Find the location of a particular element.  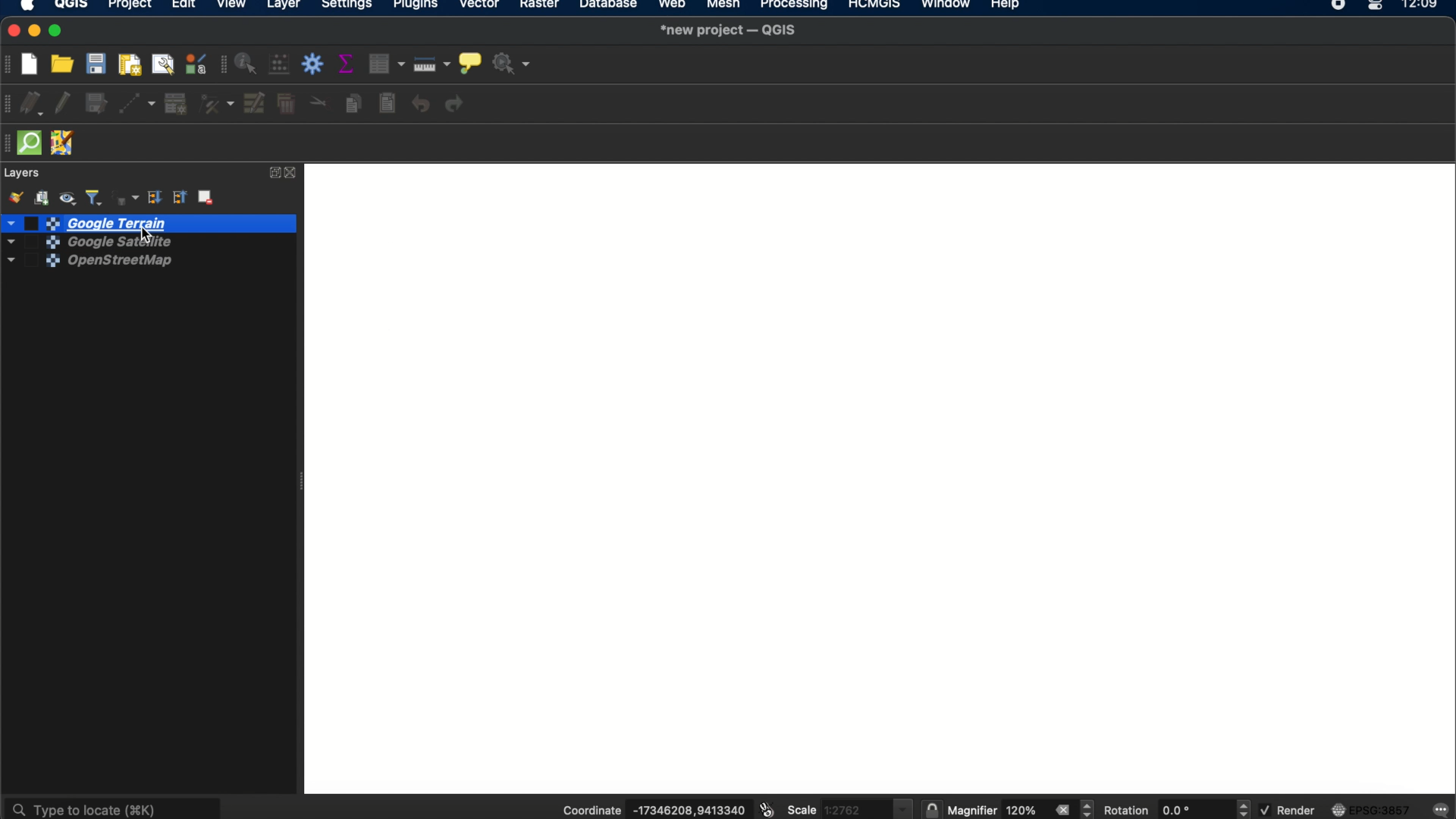

toggle extents and mouse position display is located at coordinates (765, 810).